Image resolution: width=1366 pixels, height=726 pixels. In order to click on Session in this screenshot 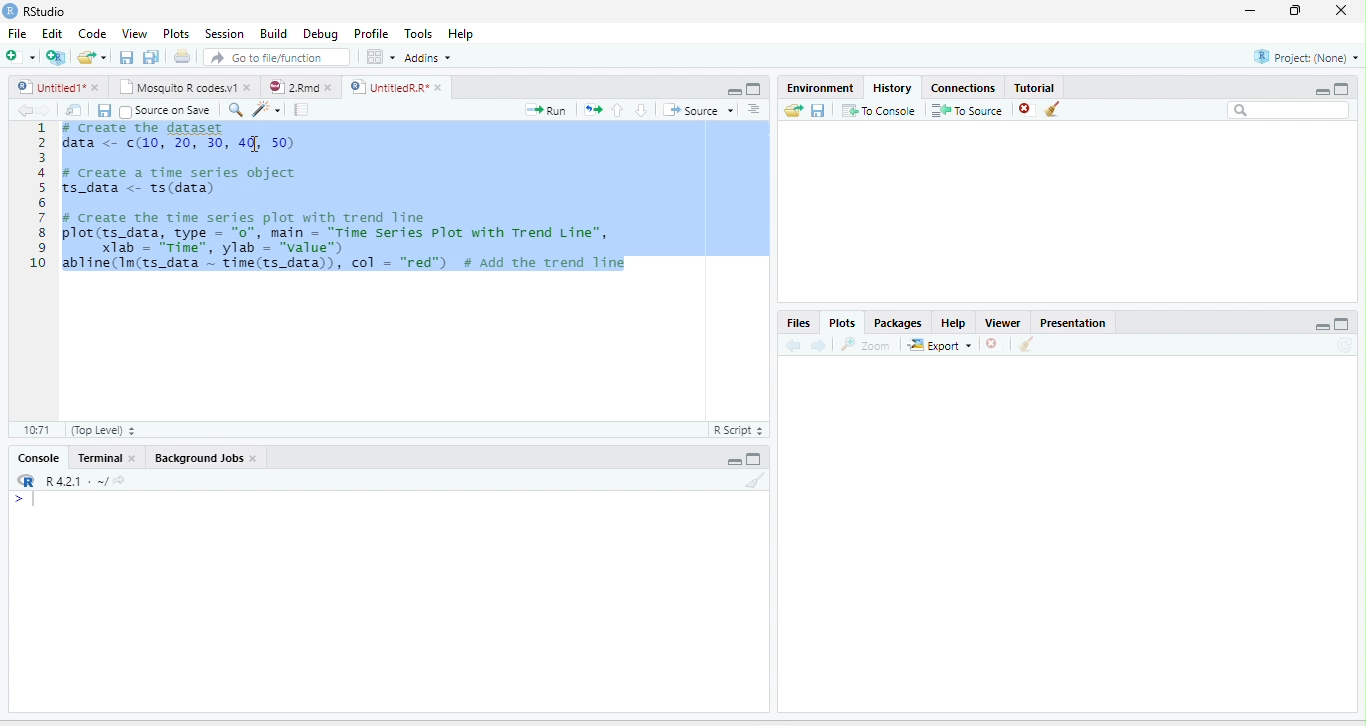, I will do `click(225, 33)`.